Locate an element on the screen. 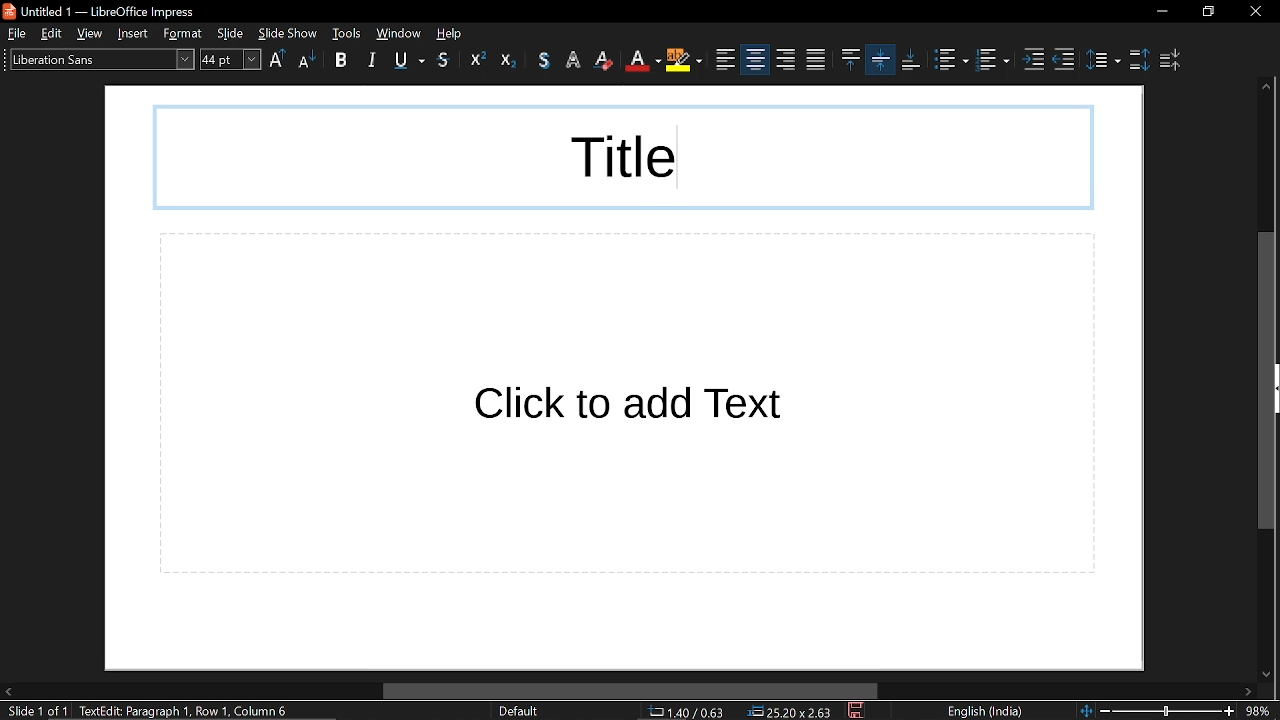 This screenshot has width=1280, height=720. zoom out is located at coordinates (1105, 710).